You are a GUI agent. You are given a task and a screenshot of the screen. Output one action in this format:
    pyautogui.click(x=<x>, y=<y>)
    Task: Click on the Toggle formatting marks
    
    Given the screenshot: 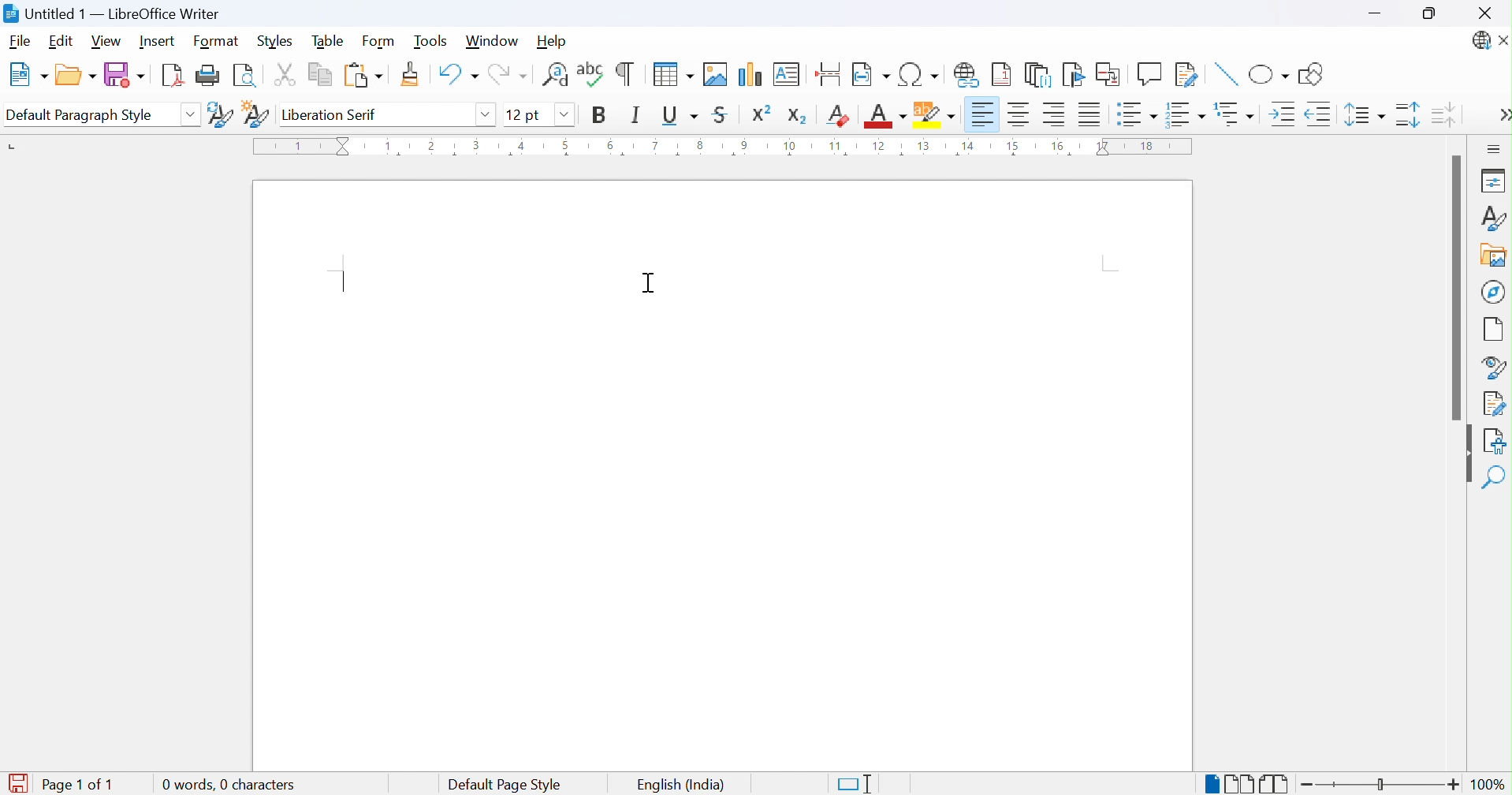 What is the action you would take?
    pyautogui.click(x=627, y=72)
    